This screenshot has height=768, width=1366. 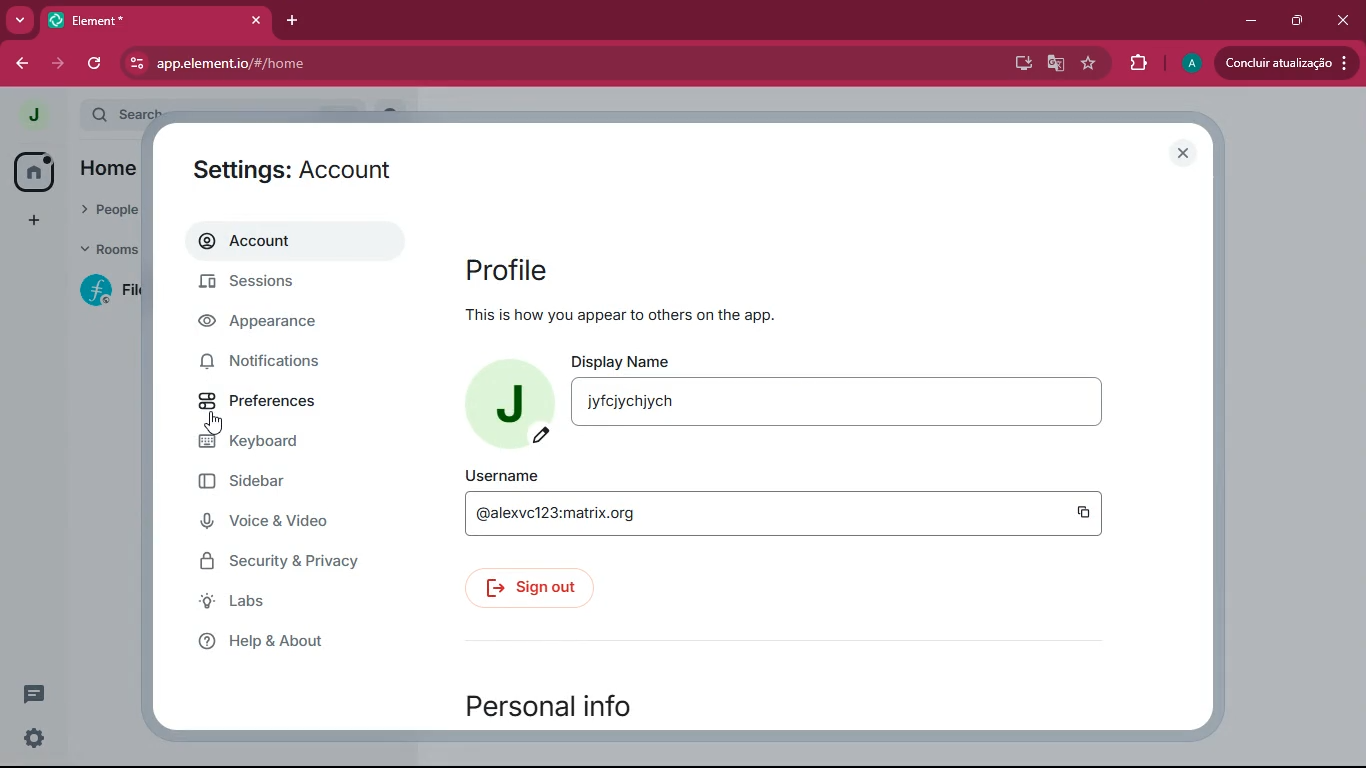 What do you see at coordinates (216, 422) in the screenshot?
I see `cursor` at bounding box center [216, 422].